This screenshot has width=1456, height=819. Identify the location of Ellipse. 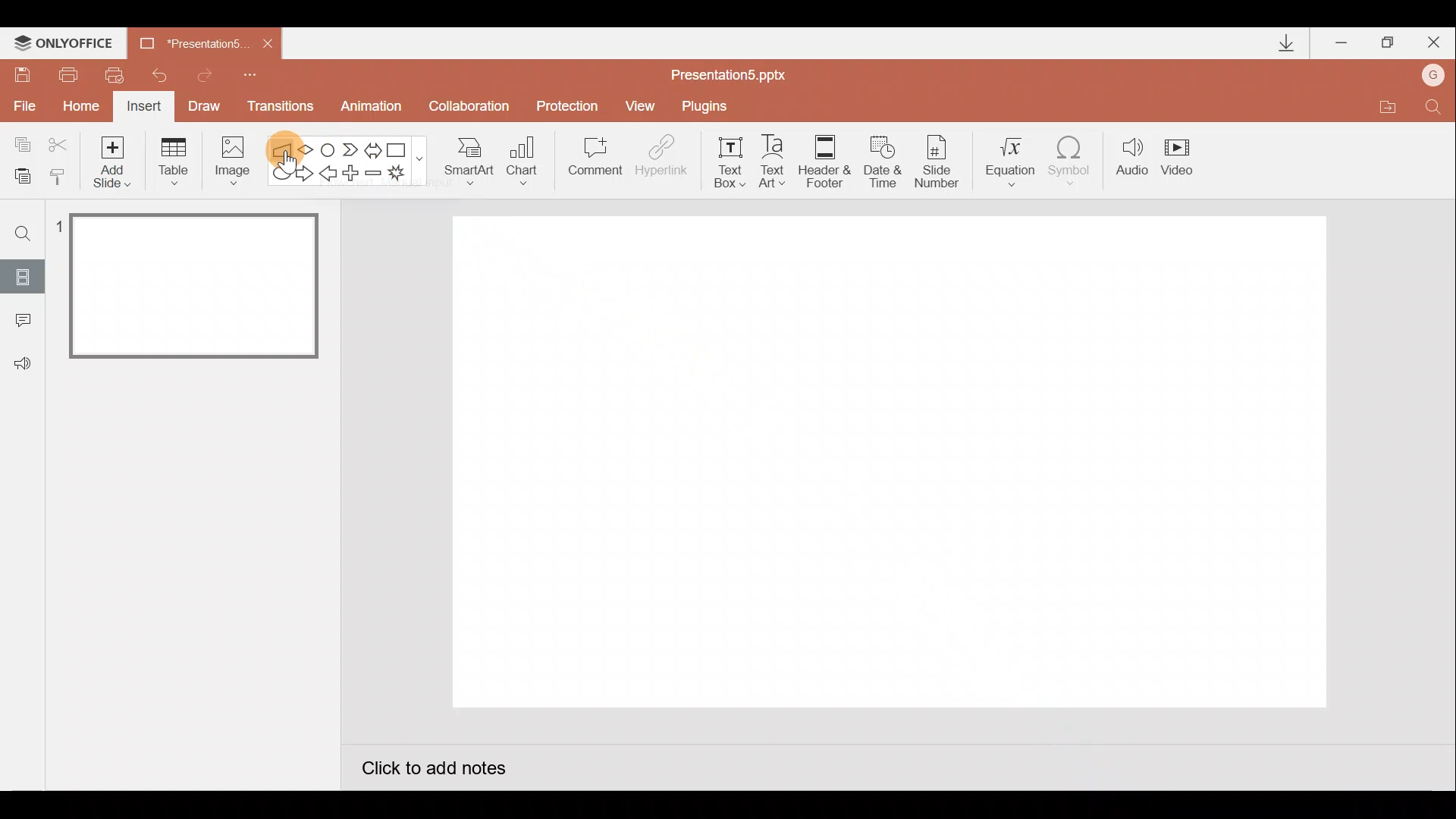
(278, 174).